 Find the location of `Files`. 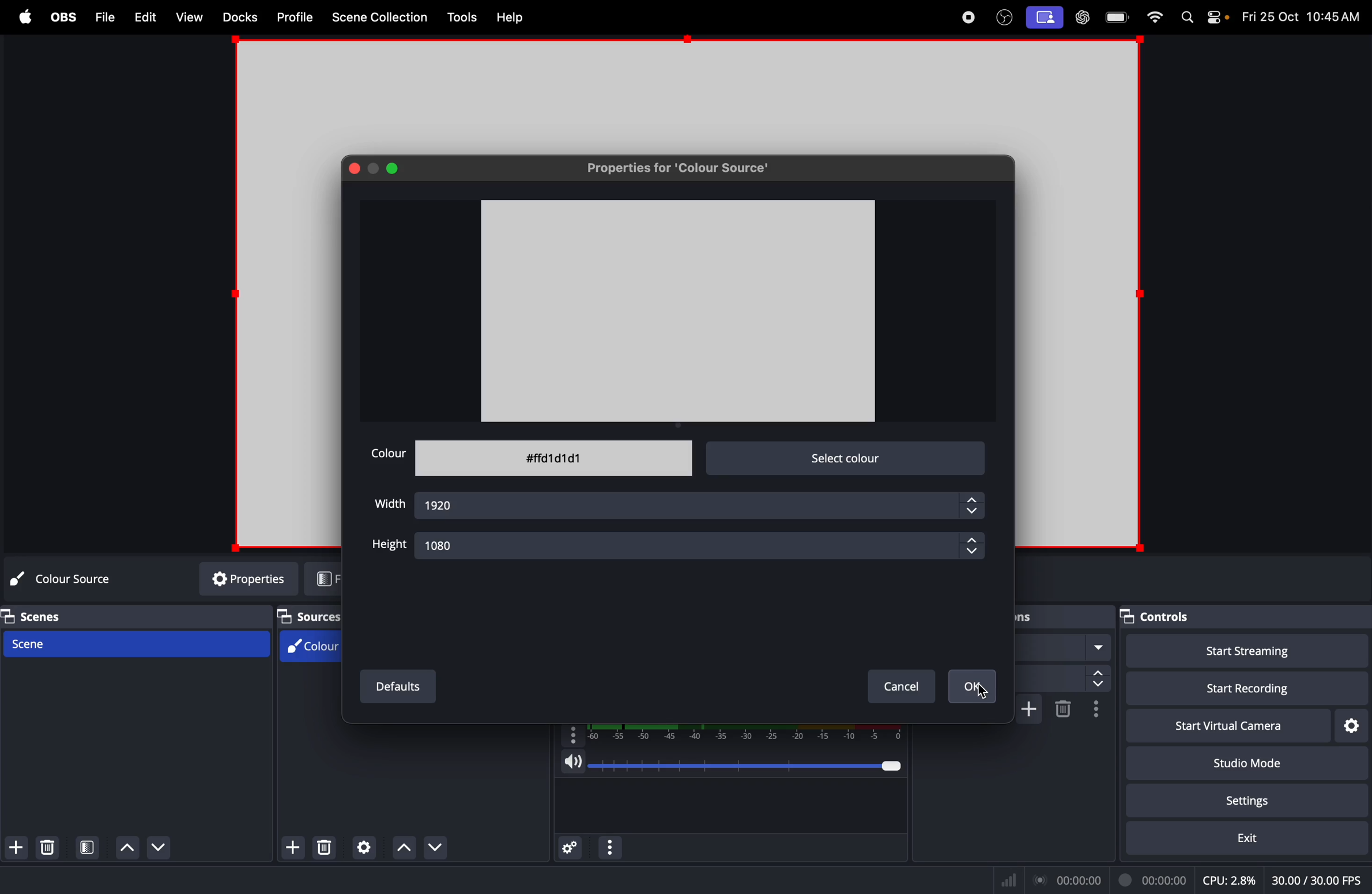

Files is located at coordinates (103, 16).